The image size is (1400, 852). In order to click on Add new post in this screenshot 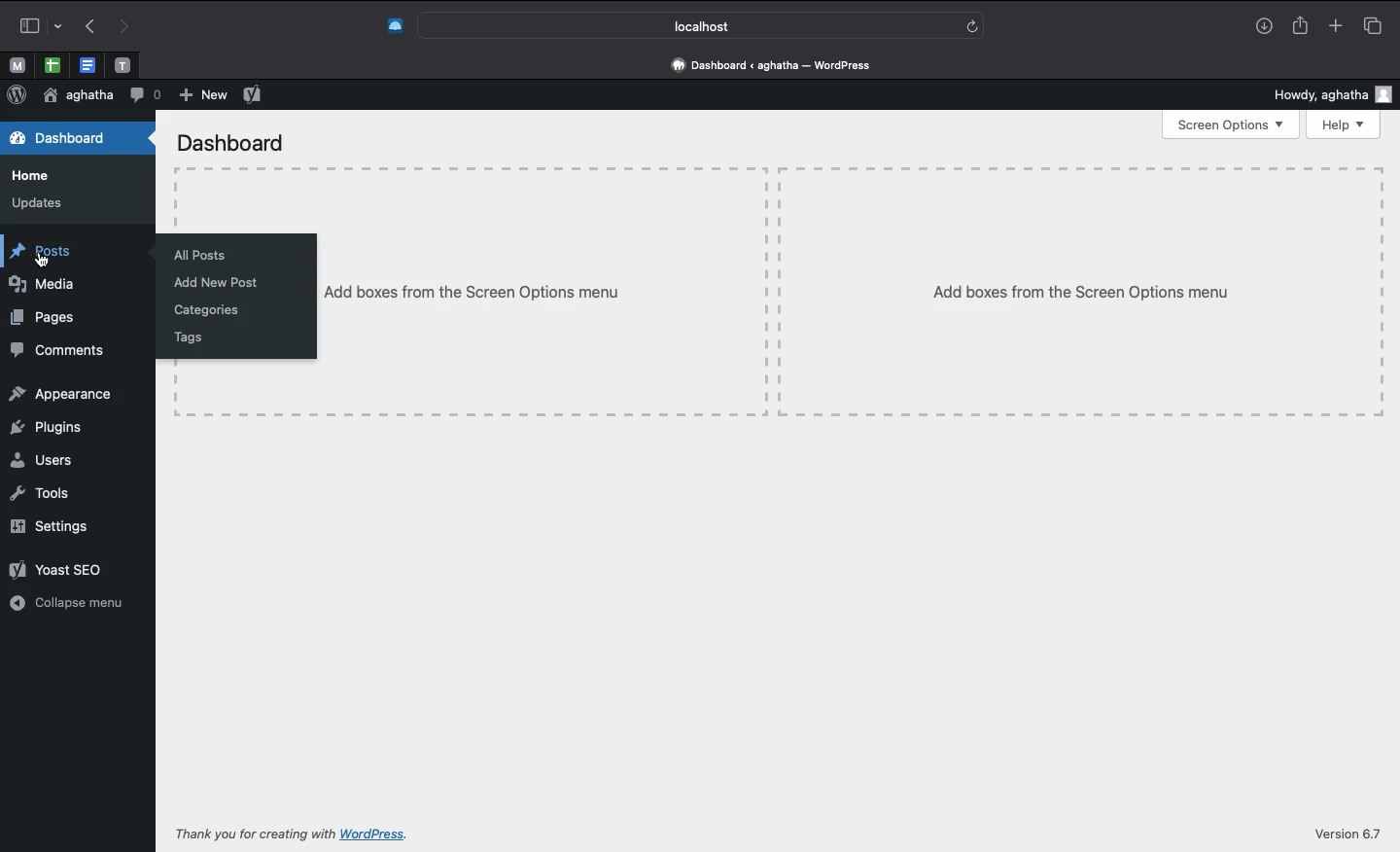, I will do `click(209, 282)`.